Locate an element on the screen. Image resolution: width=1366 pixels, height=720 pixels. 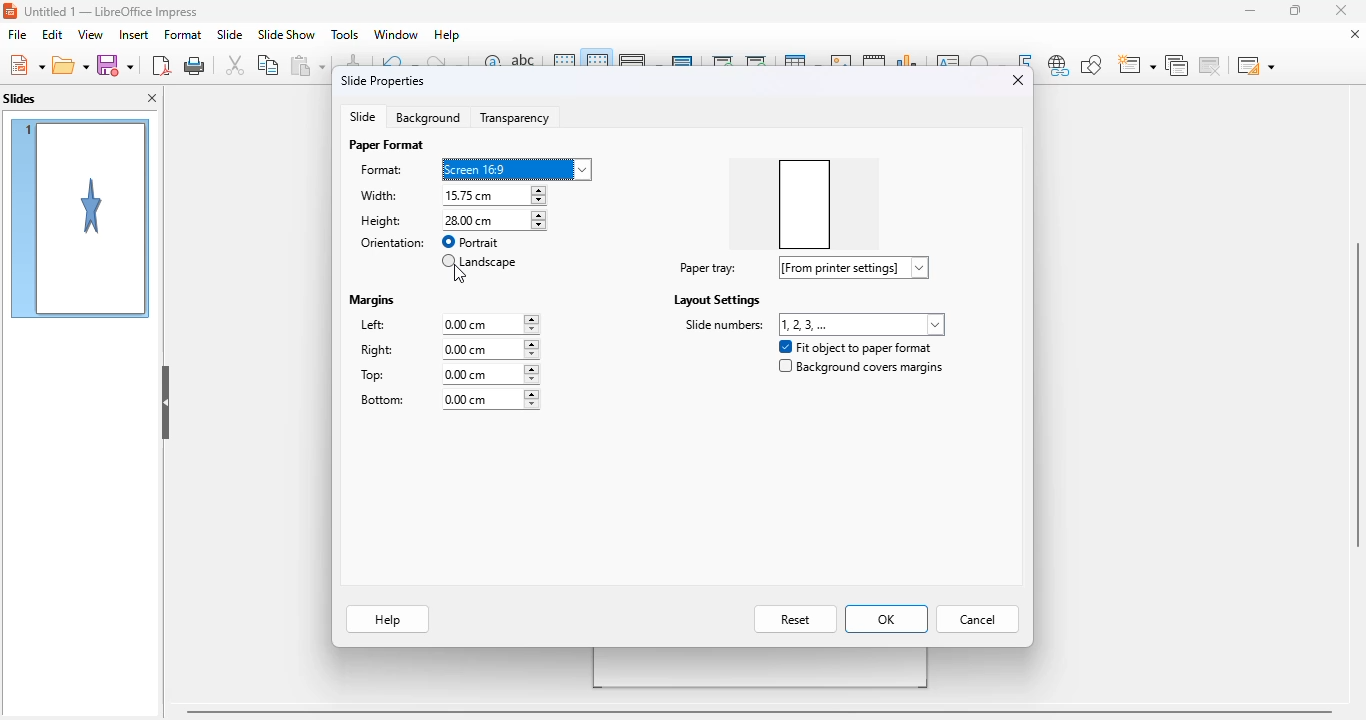
decrease width is located at coordinates (536, 202).